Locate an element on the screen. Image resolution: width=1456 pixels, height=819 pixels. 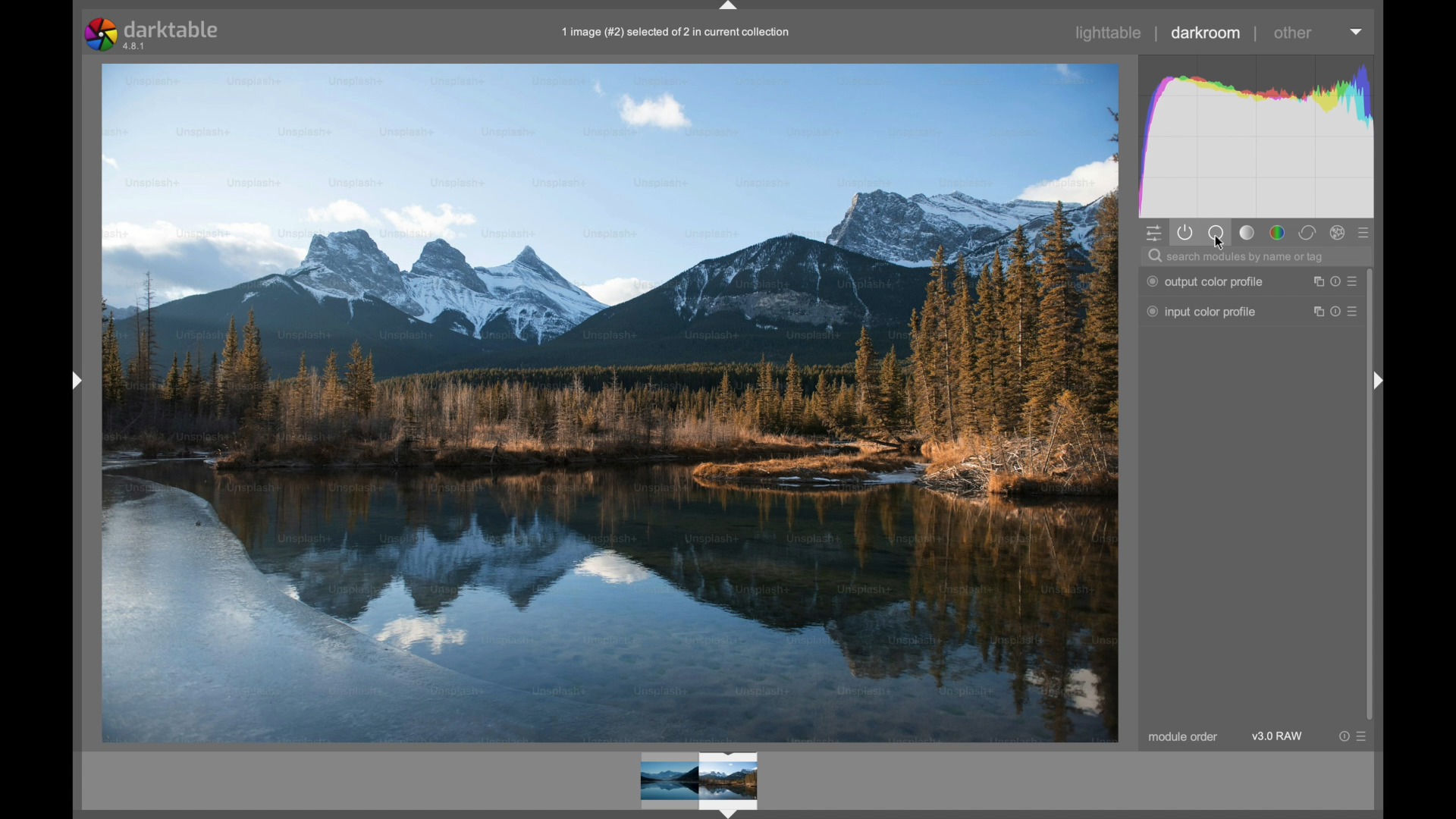
video preview is located at coordinates (608, 402).